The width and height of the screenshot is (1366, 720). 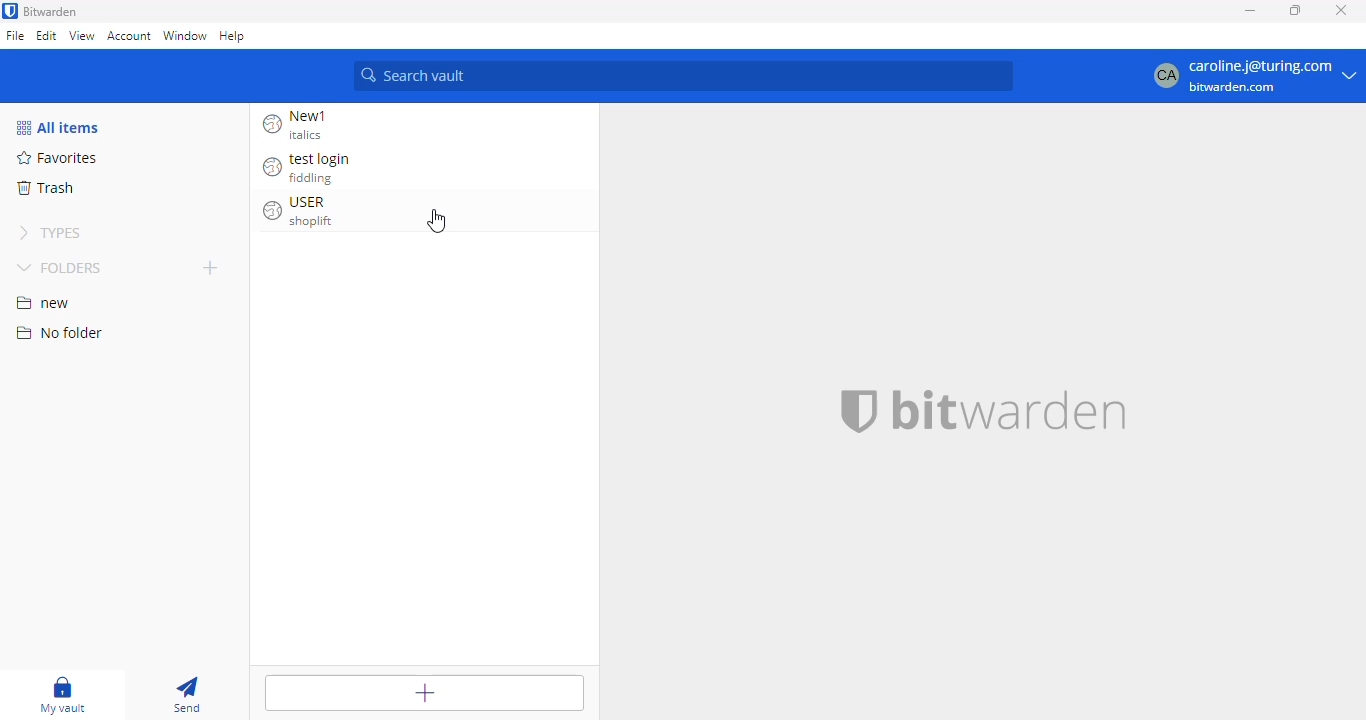 I want to click on edit, so click(x=46, y=36).